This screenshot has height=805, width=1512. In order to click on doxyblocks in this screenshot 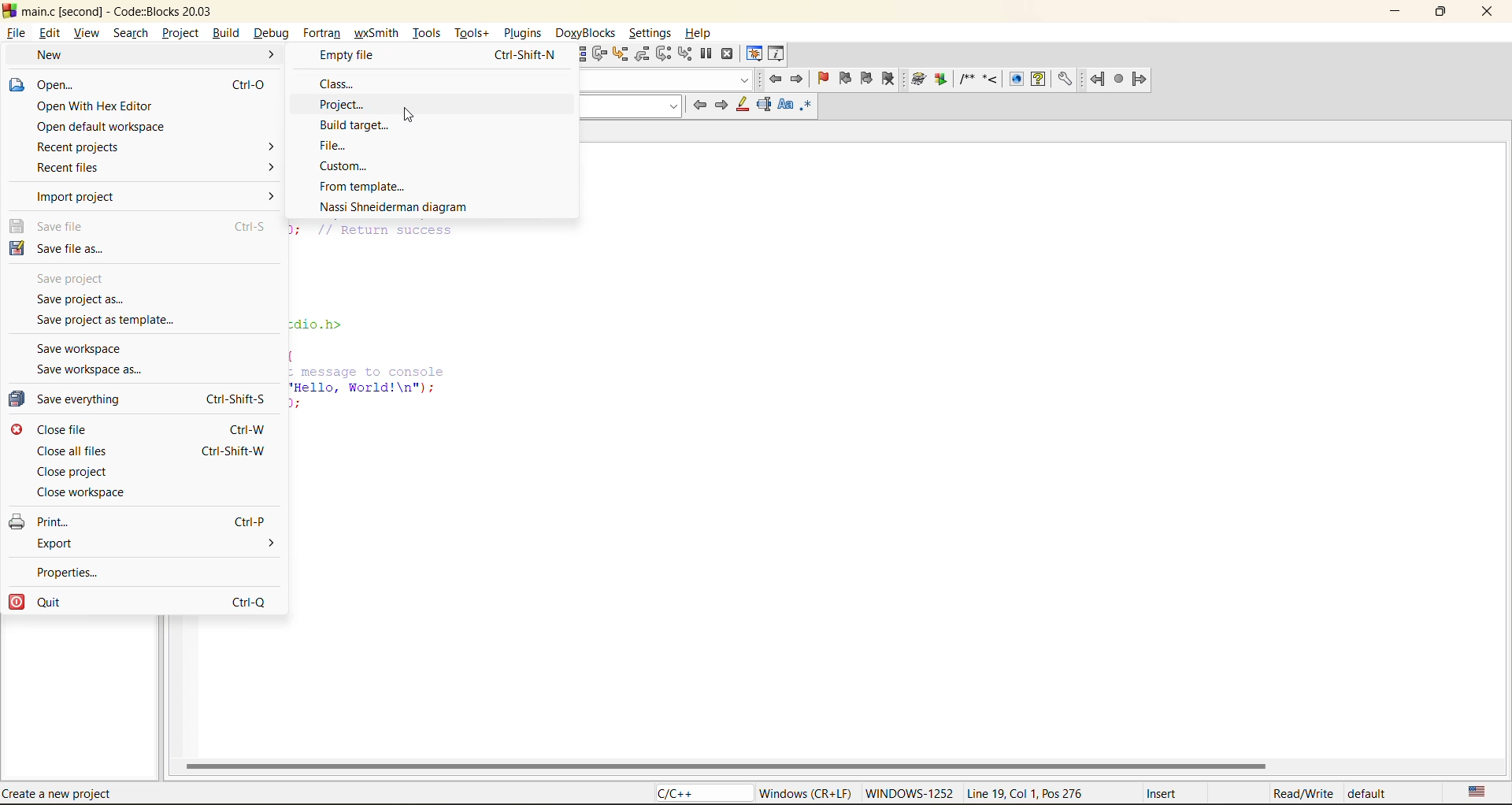, I will do `click(589, 32)`.